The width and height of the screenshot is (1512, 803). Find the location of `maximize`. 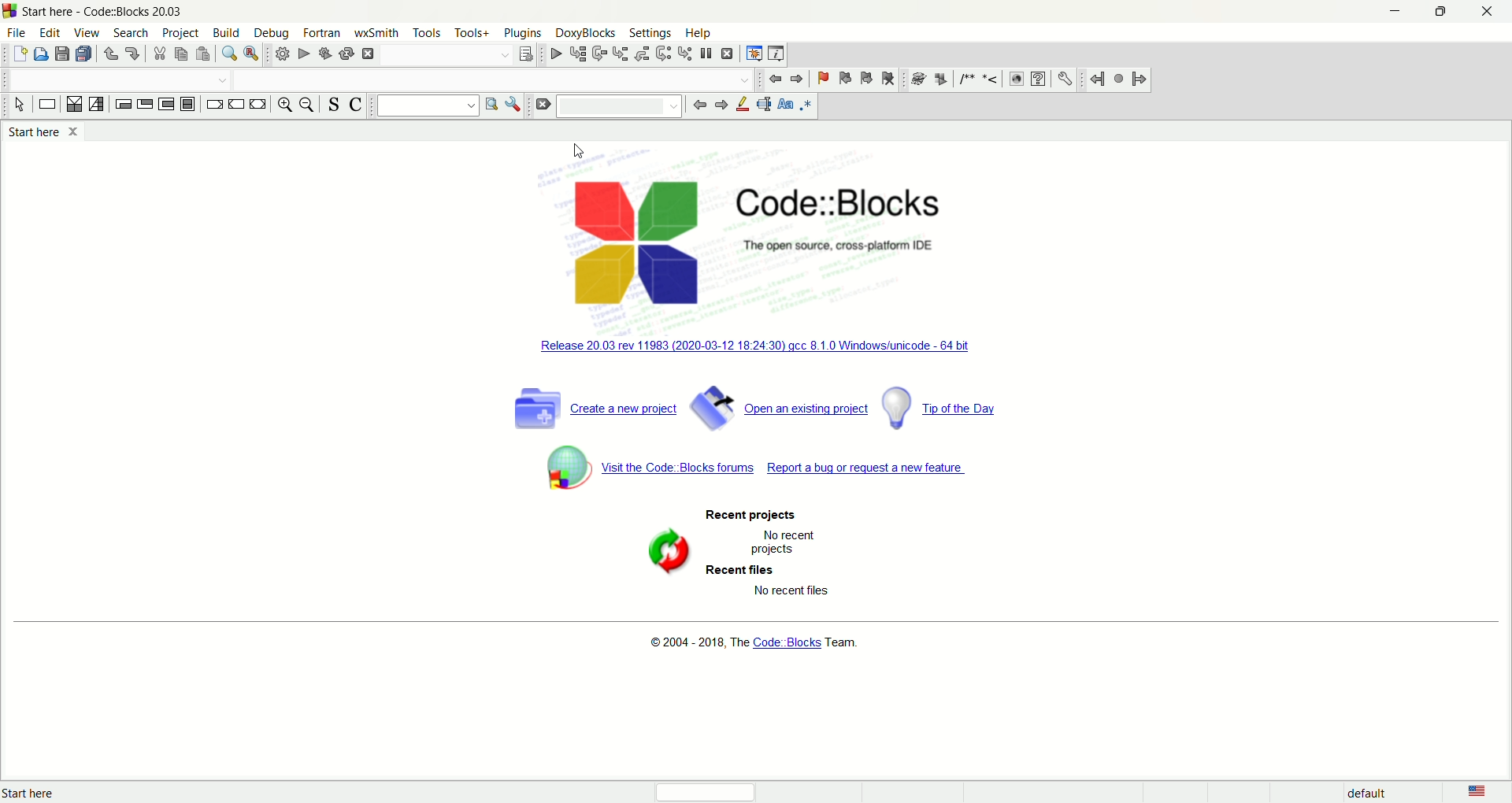

maximize is located at coordinates (1440, 10).